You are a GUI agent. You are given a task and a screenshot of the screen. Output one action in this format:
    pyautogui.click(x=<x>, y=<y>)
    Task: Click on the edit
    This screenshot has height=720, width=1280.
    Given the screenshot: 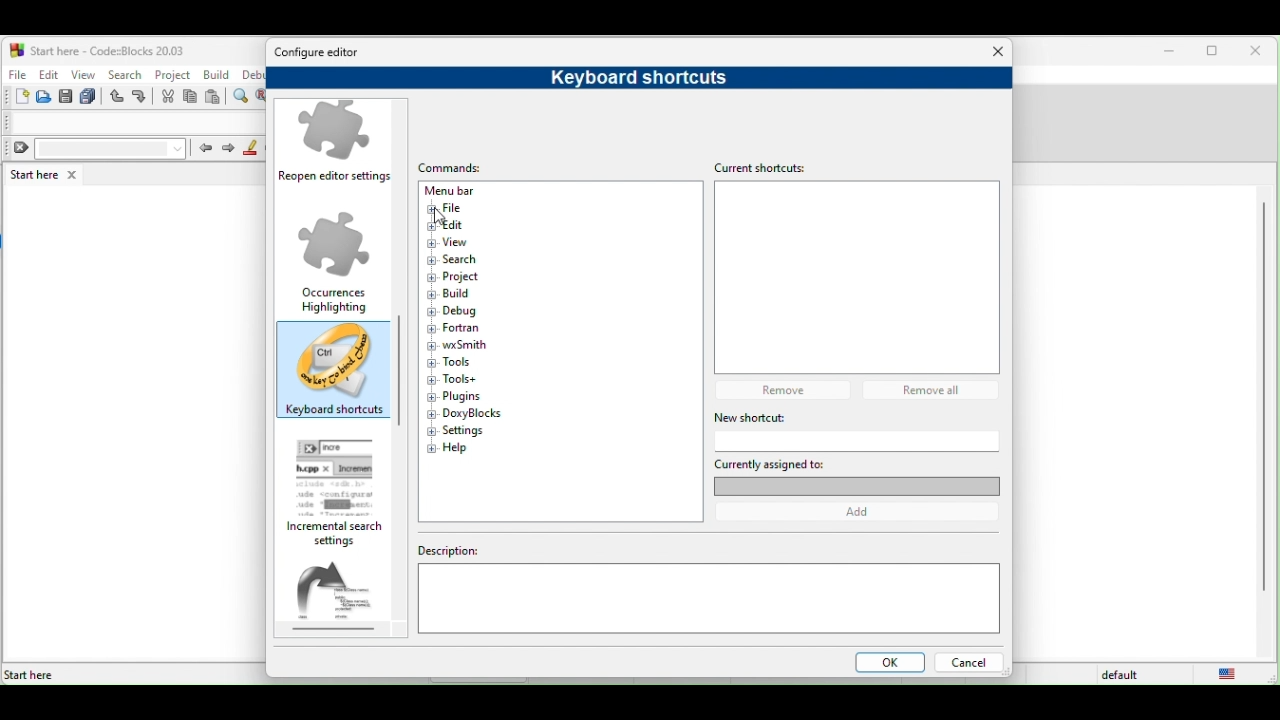 What is the action you would take?
    pyautogui.click(x=48, y=74)
    